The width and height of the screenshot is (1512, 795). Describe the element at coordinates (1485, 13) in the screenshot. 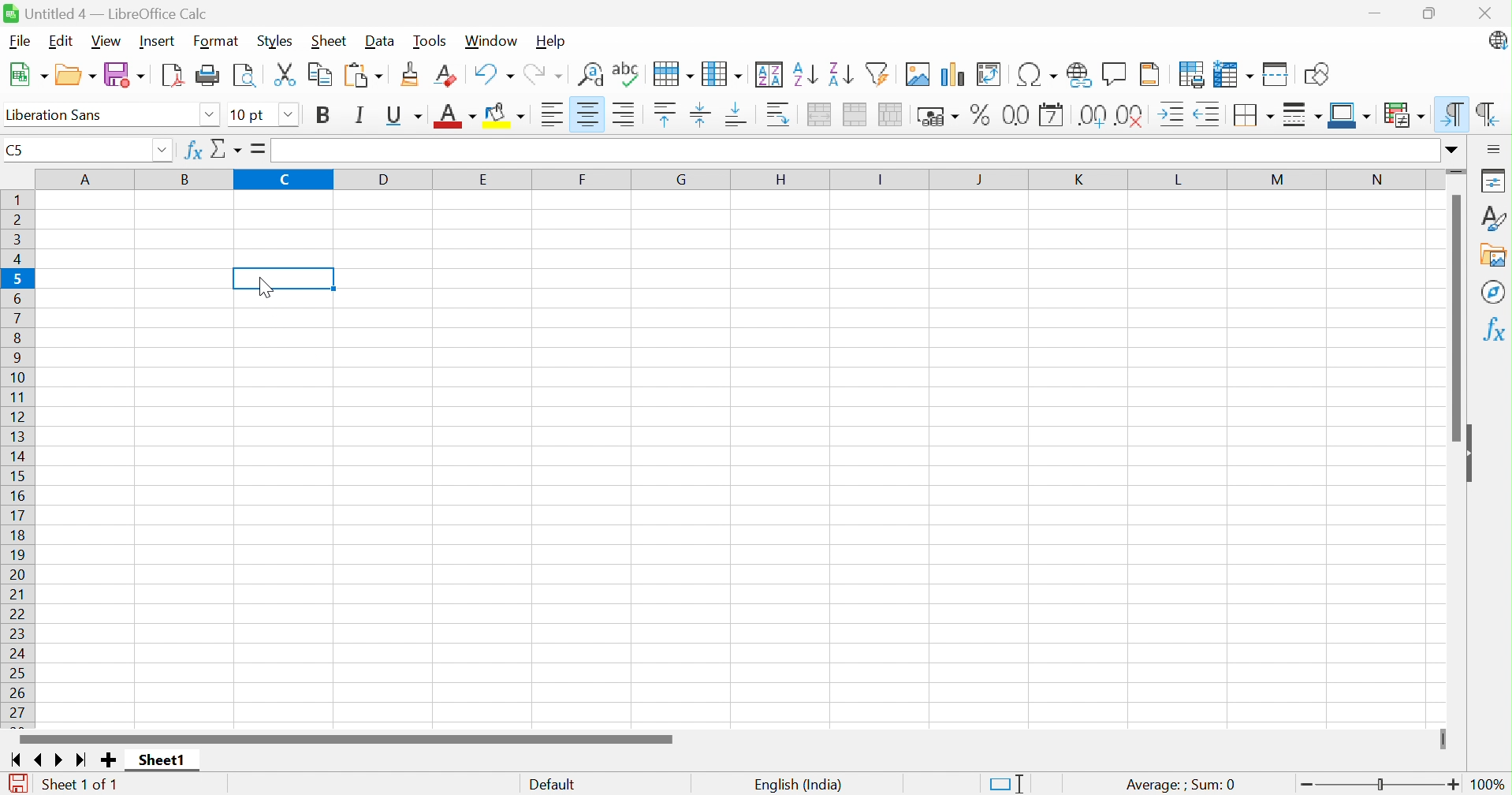

I see `Close` at that location.